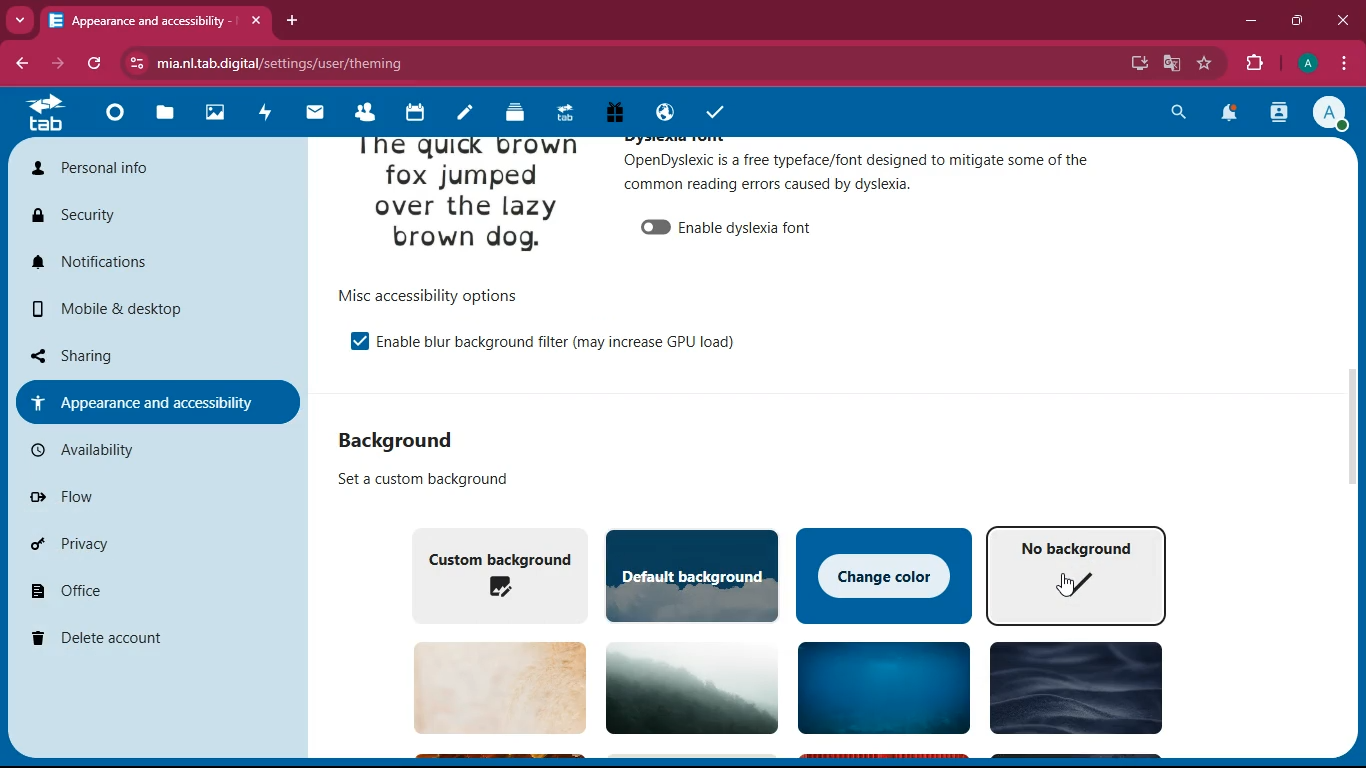 Image resolution: width=1366 pixels, height=768 pixels. I want to click on change color, so click(885, 573).